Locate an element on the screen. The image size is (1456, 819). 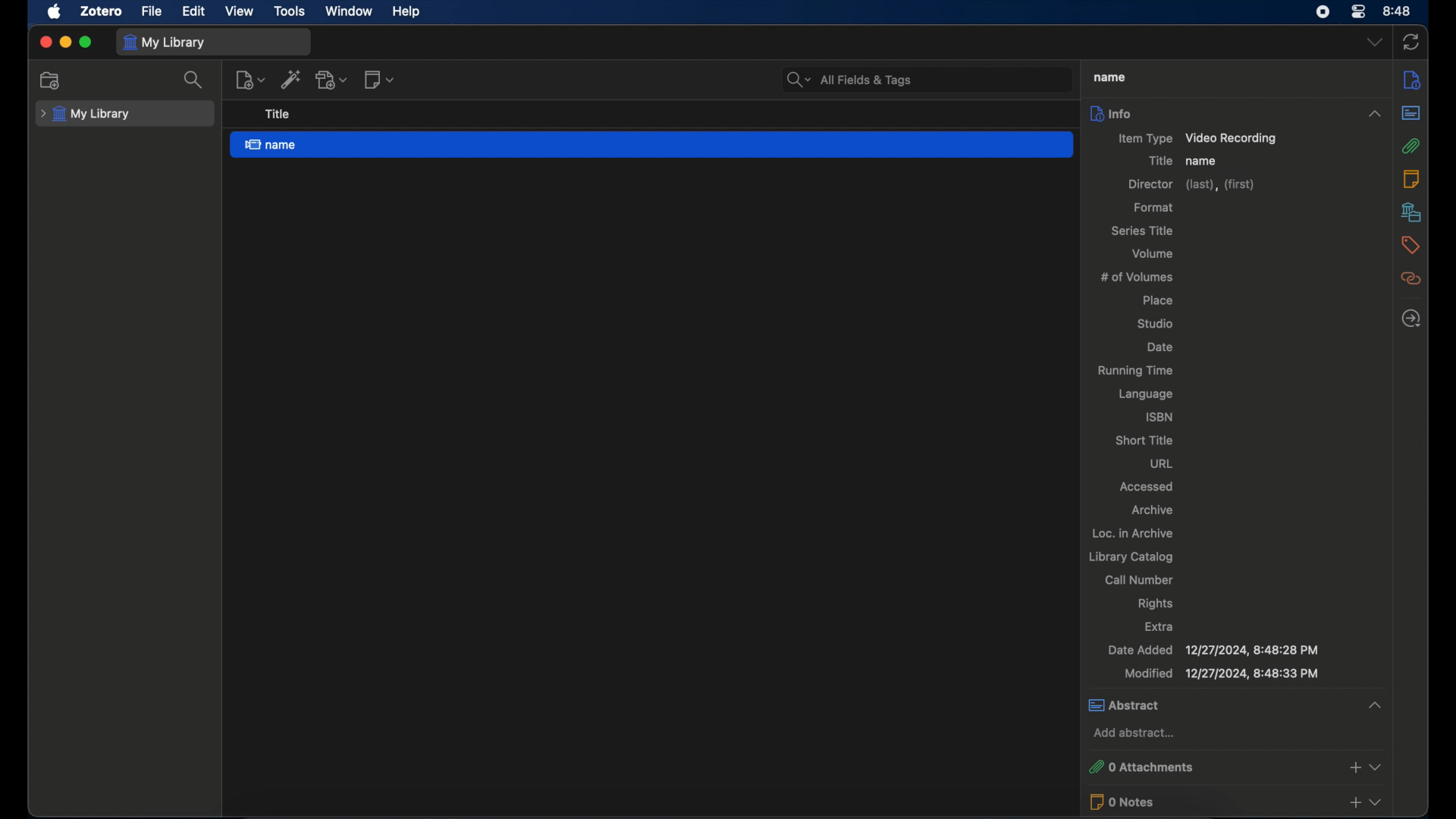
file is located at coordinates (151, 12).